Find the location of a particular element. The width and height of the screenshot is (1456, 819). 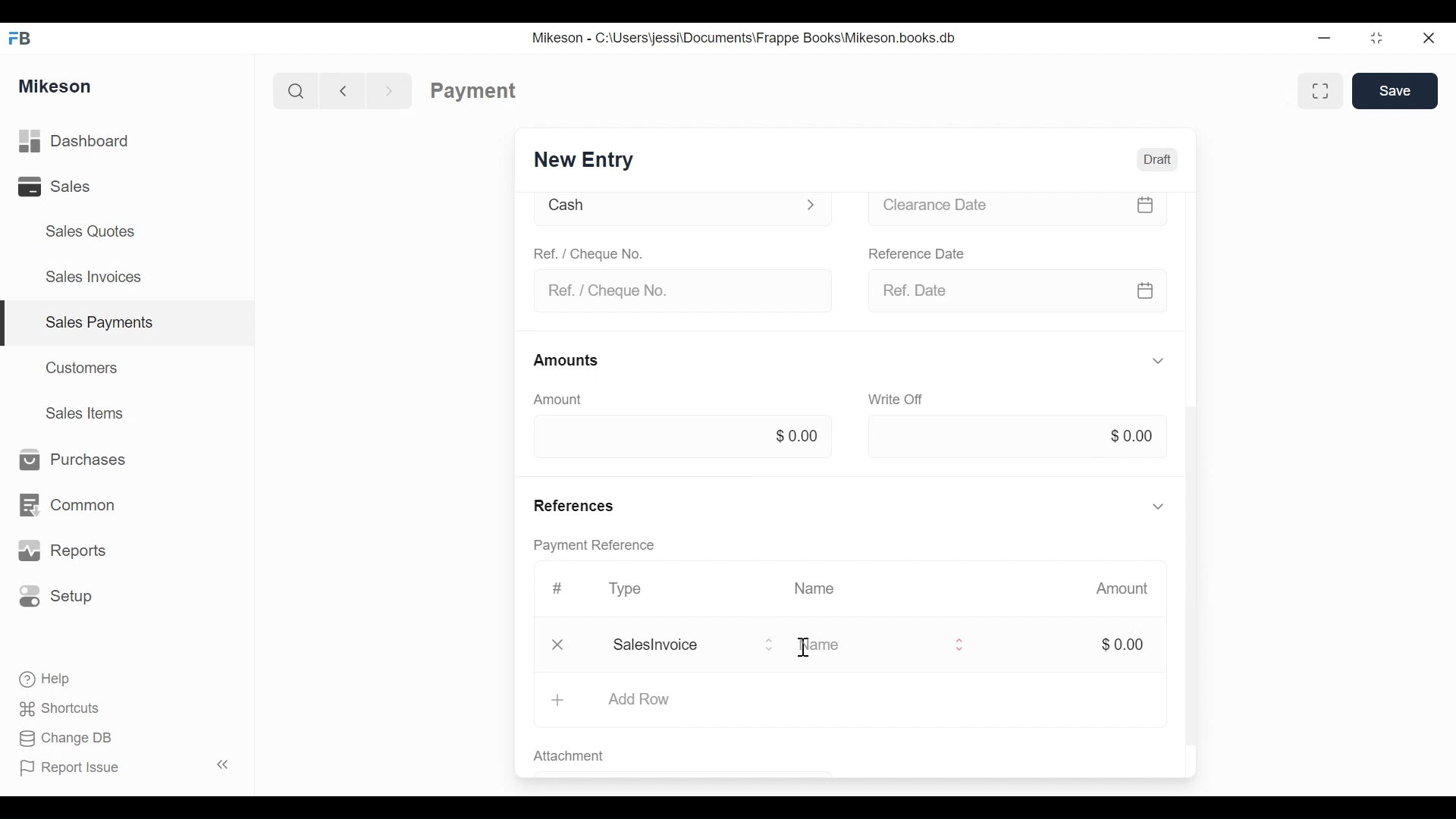

Shortcuts is located at coordinates (66, 704).